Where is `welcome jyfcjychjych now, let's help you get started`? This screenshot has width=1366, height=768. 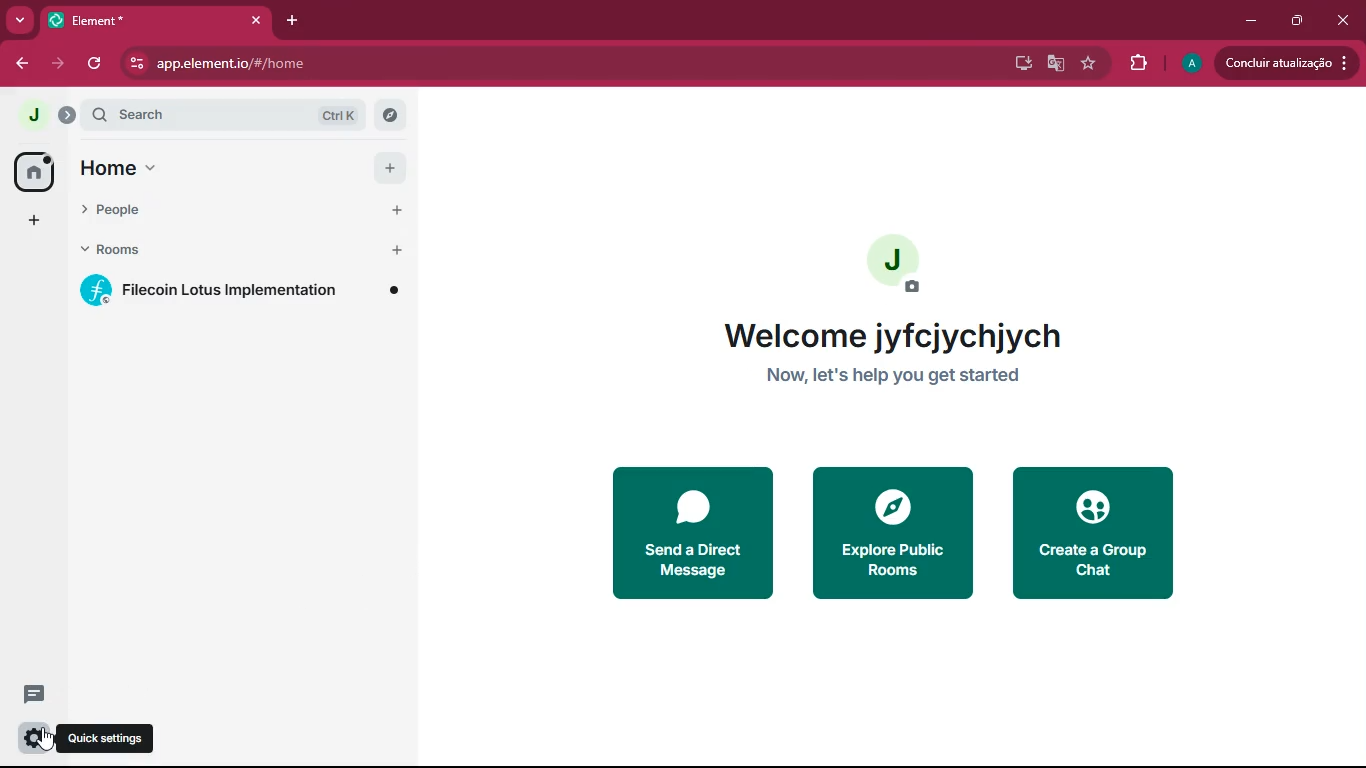 welcome jyfcjychjych now, let's help you get started is located at coordinates (890, 358).